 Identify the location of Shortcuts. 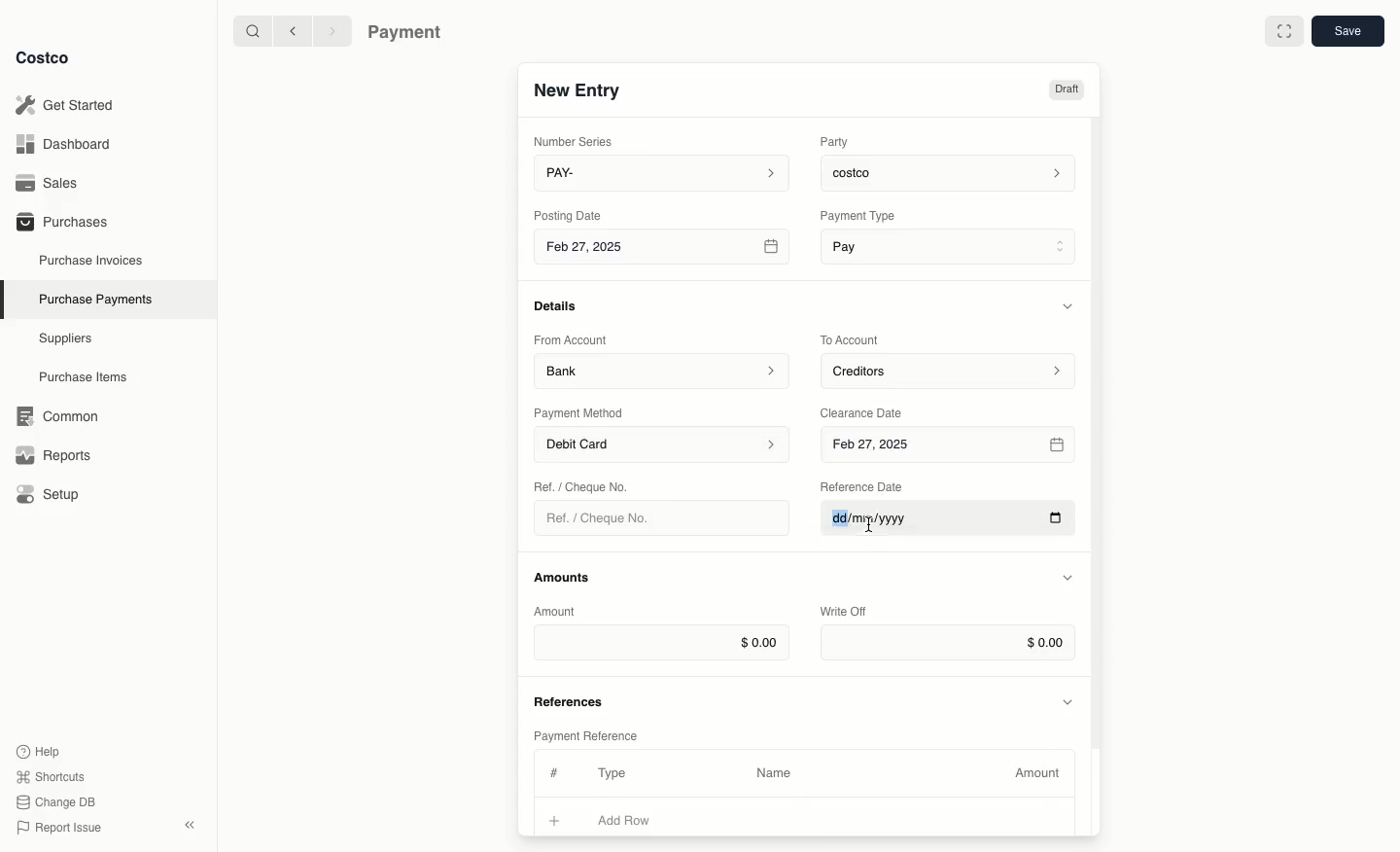
(50, 775).